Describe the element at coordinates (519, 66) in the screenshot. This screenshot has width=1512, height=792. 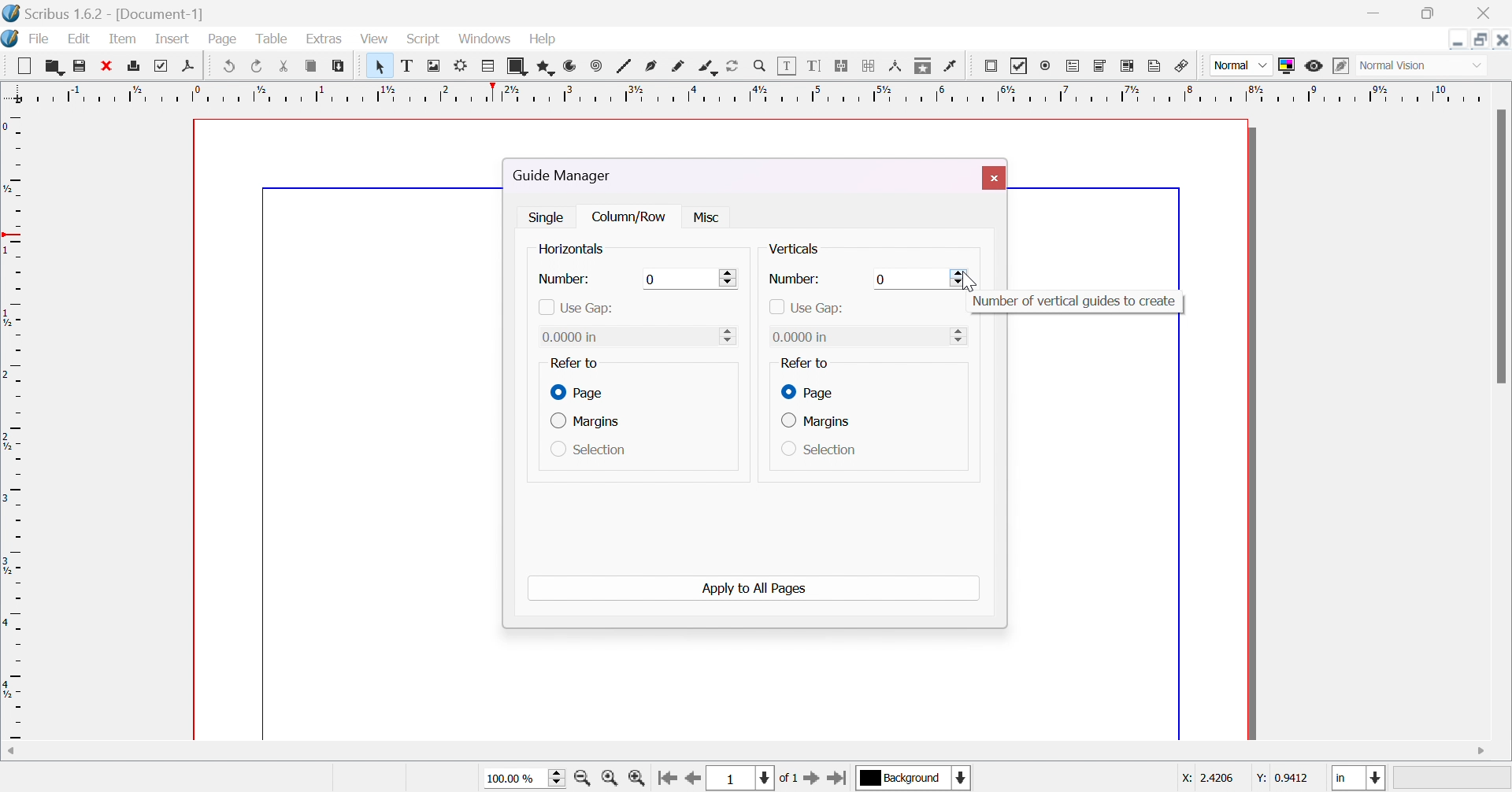
I see `shape` at that location.